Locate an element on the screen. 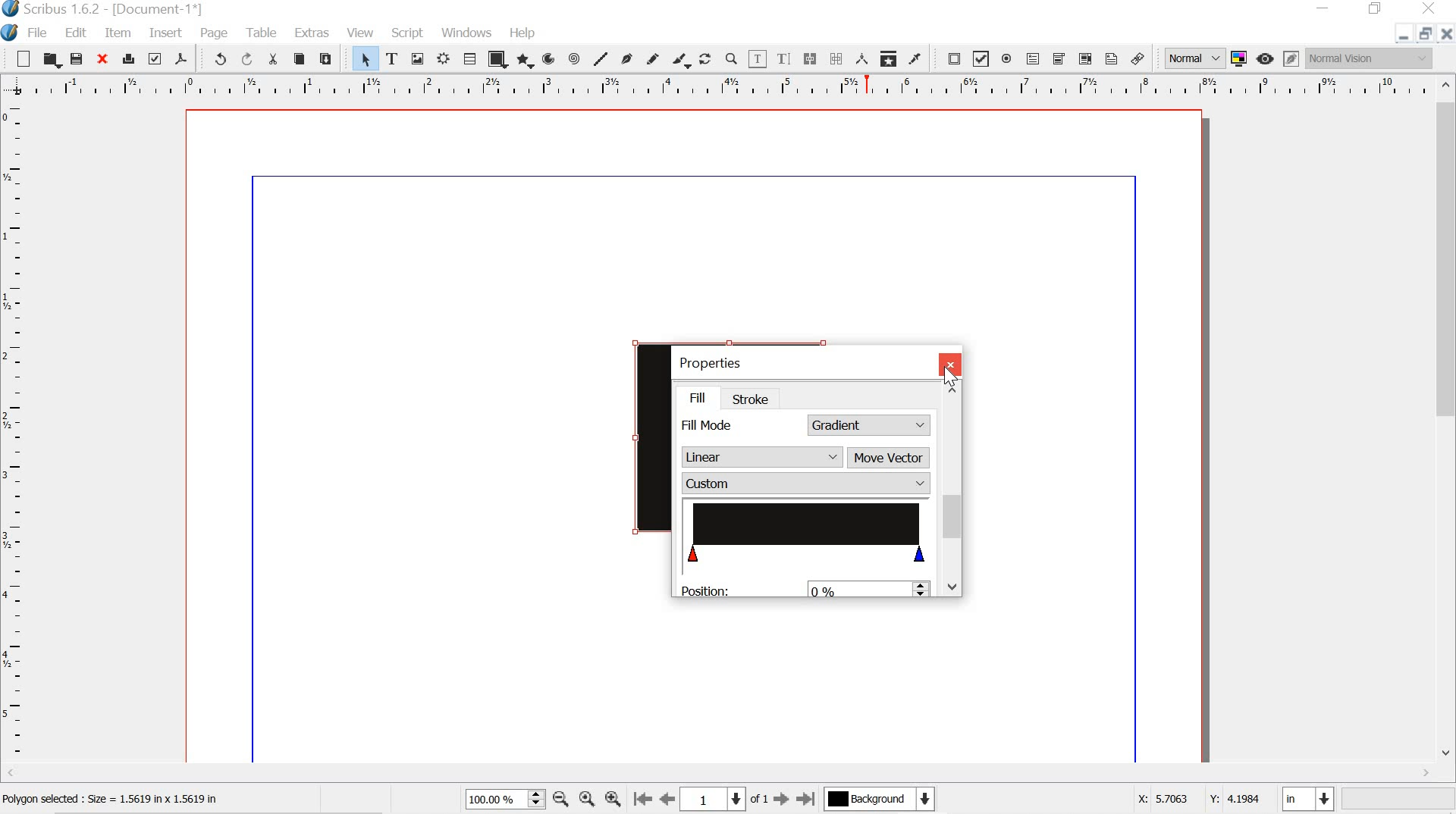 The image size is (1456, 814). scrollbar is located at coordinates (952, 499).